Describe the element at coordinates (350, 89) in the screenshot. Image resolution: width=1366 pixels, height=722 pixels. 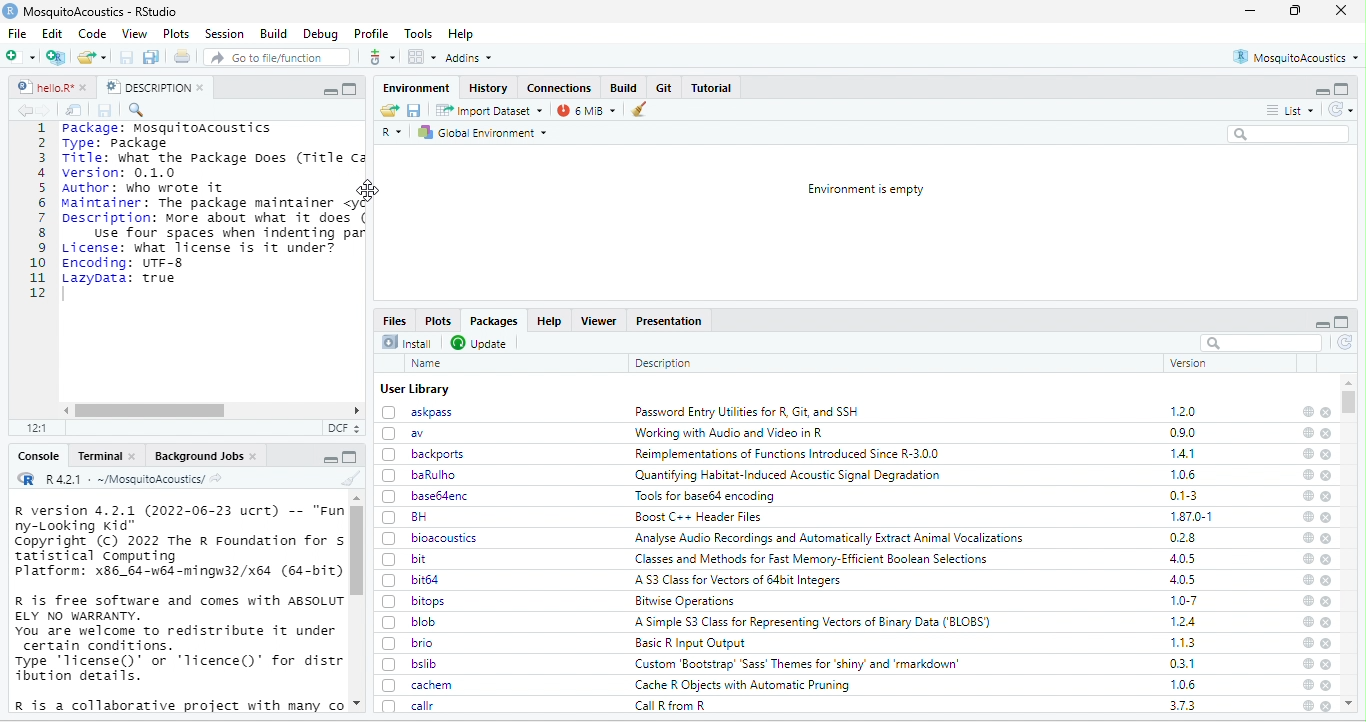
I see `full screen` at that location.